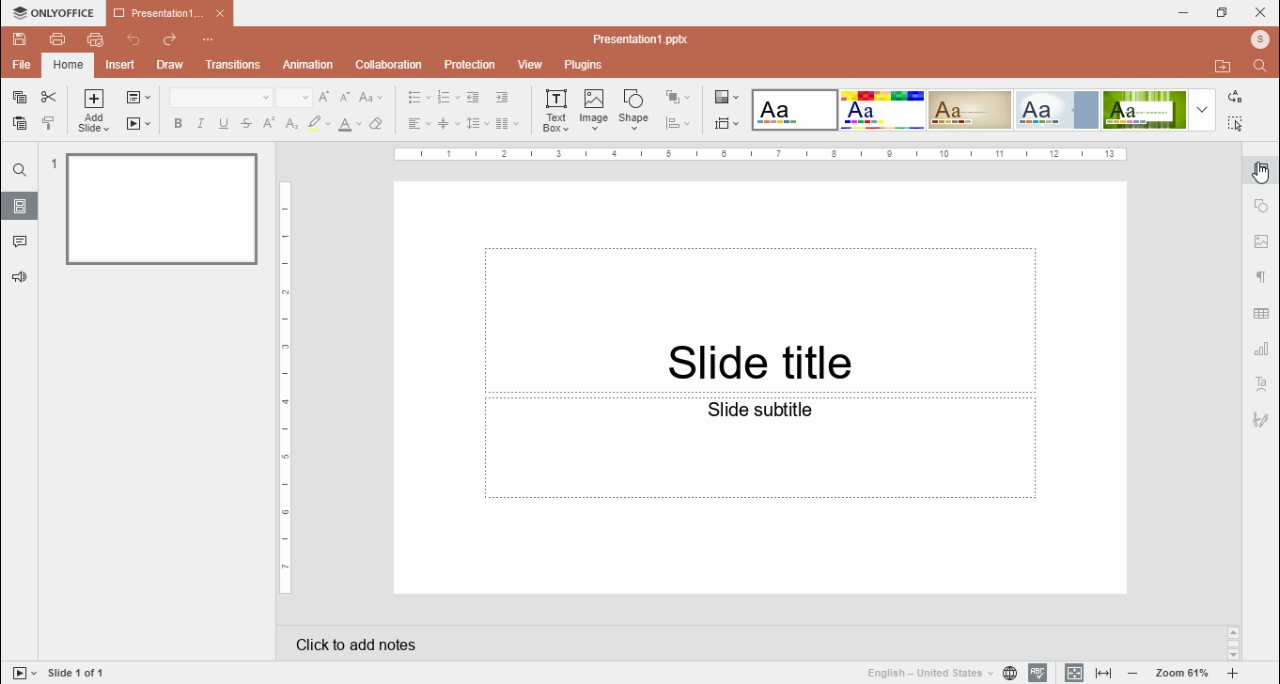  I want to click on file name, so click(650, 37).